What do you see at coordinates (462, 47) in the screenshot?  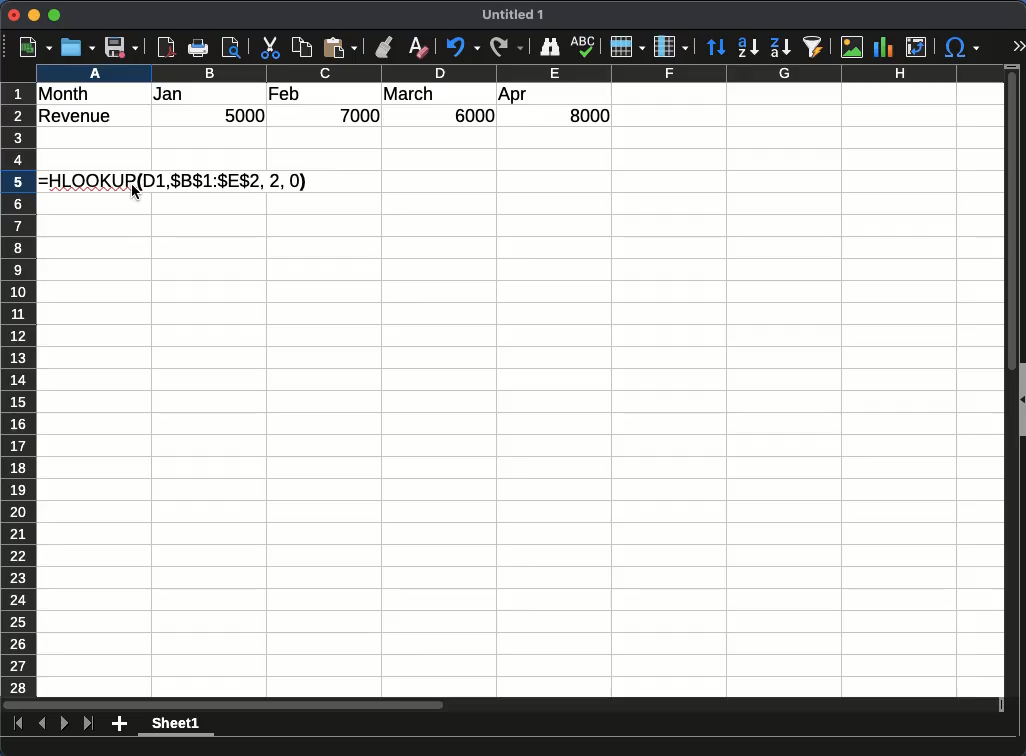 I see `undo` at bounding box center [462, 47].